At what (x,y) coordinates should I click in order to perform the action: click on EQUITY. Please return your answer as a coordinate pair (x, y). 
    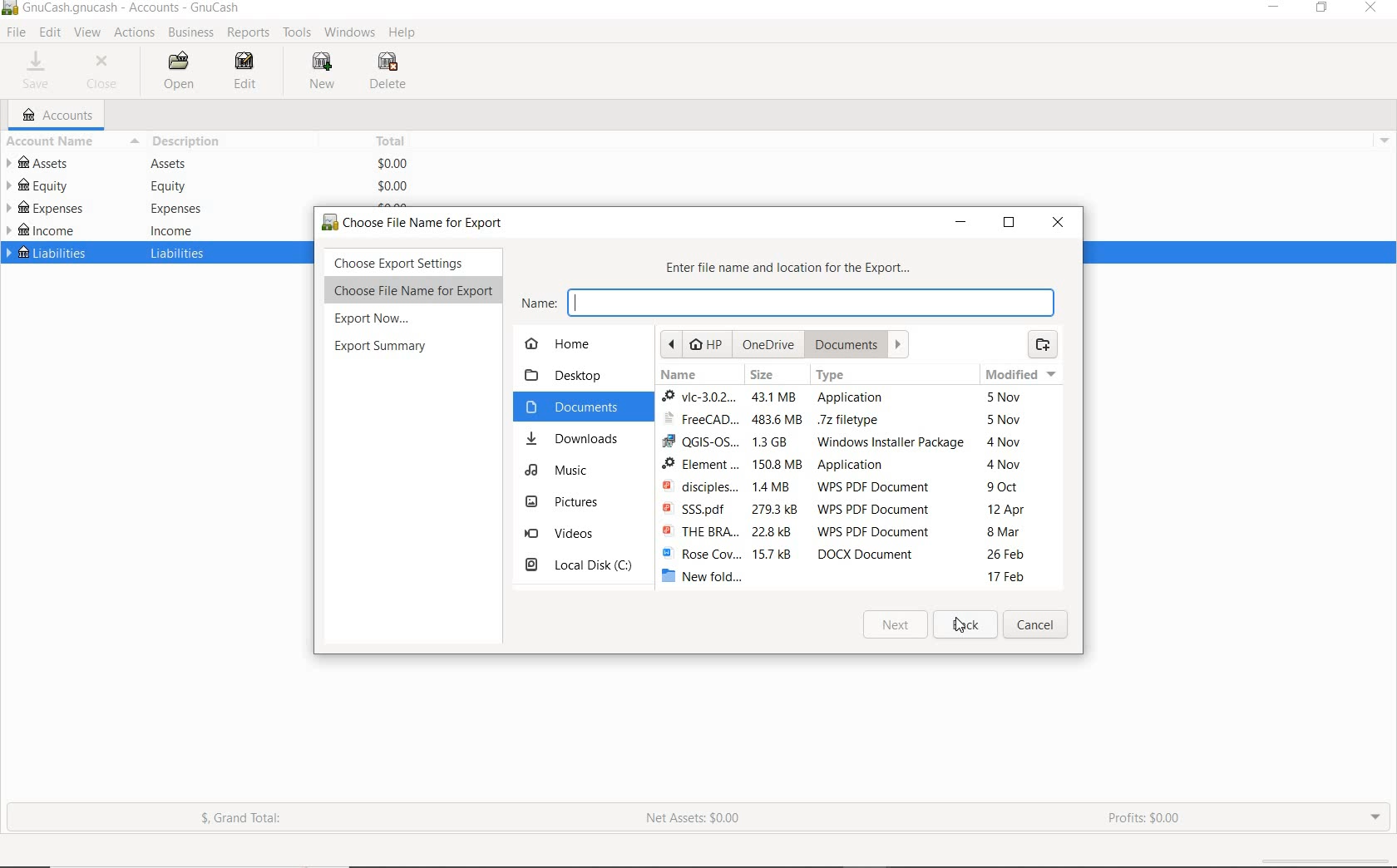
    Looking at the image, I should click on (43, 185).